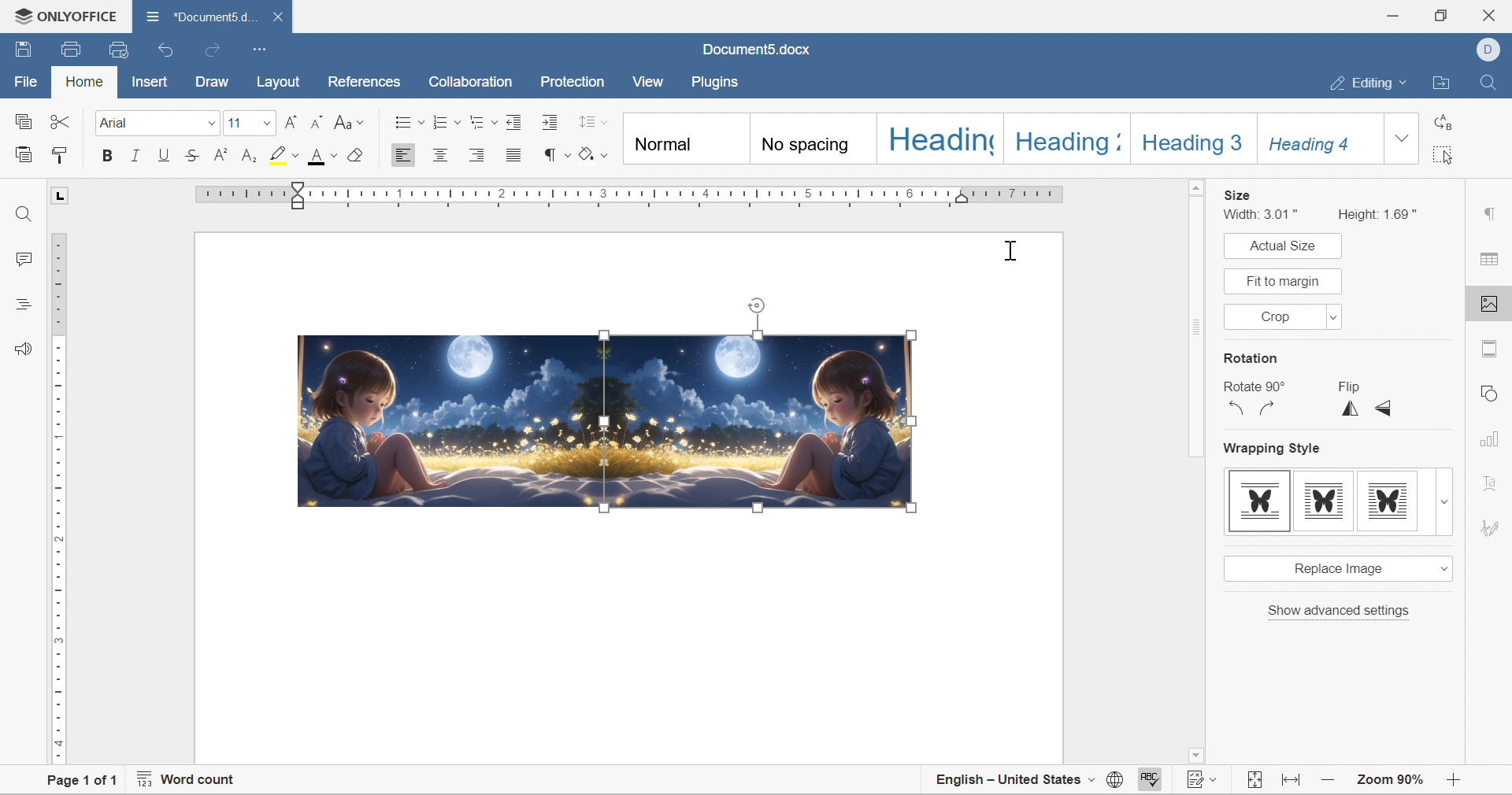  Describe the element at coordinates (210, 79) in the screenshot. I see `draw` at that location.